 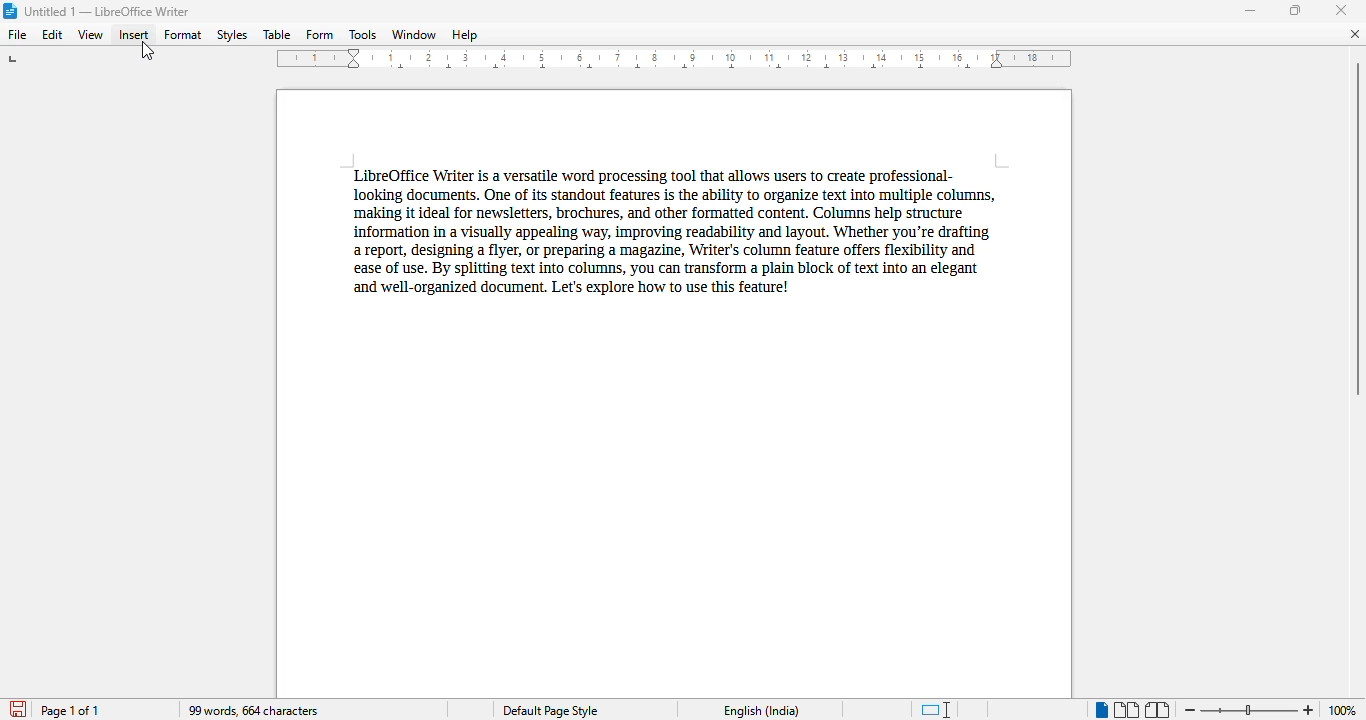 I want to click on single-page view, so click(x=1101, y=710).